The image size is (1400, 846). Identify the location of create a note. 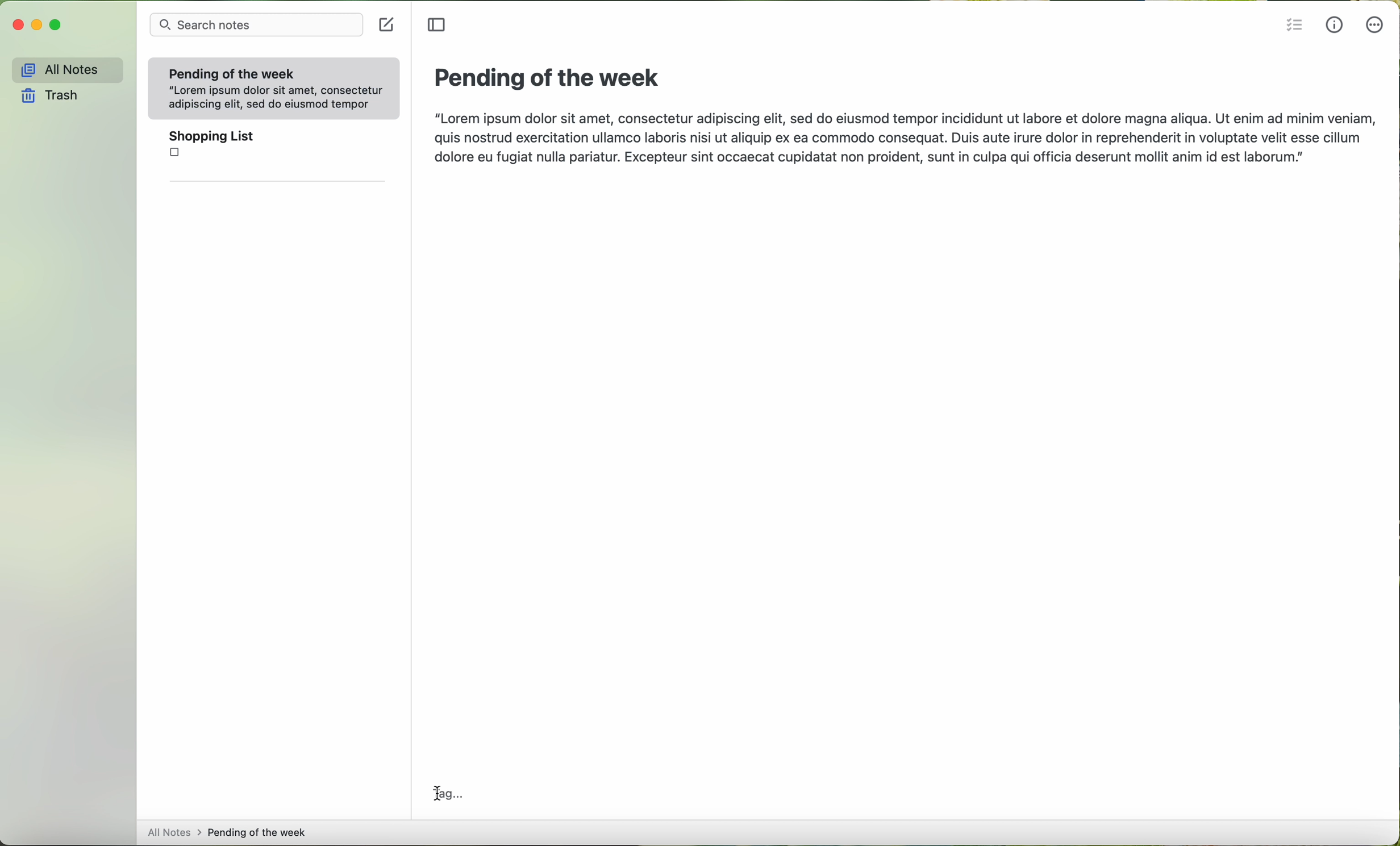
(389, 26).